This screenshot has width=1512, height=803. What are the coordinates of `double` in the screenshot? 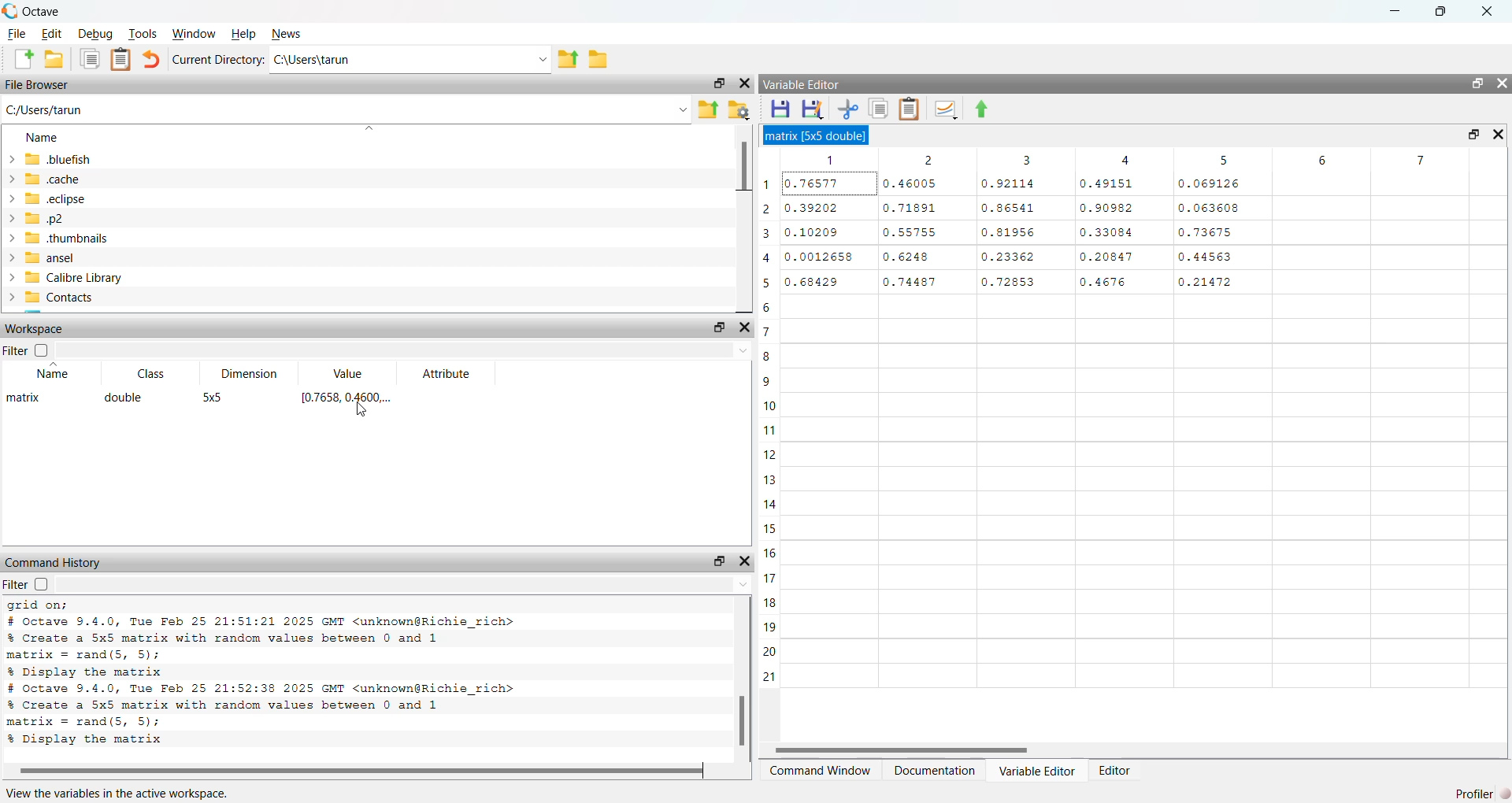 It's located at (127, 398).